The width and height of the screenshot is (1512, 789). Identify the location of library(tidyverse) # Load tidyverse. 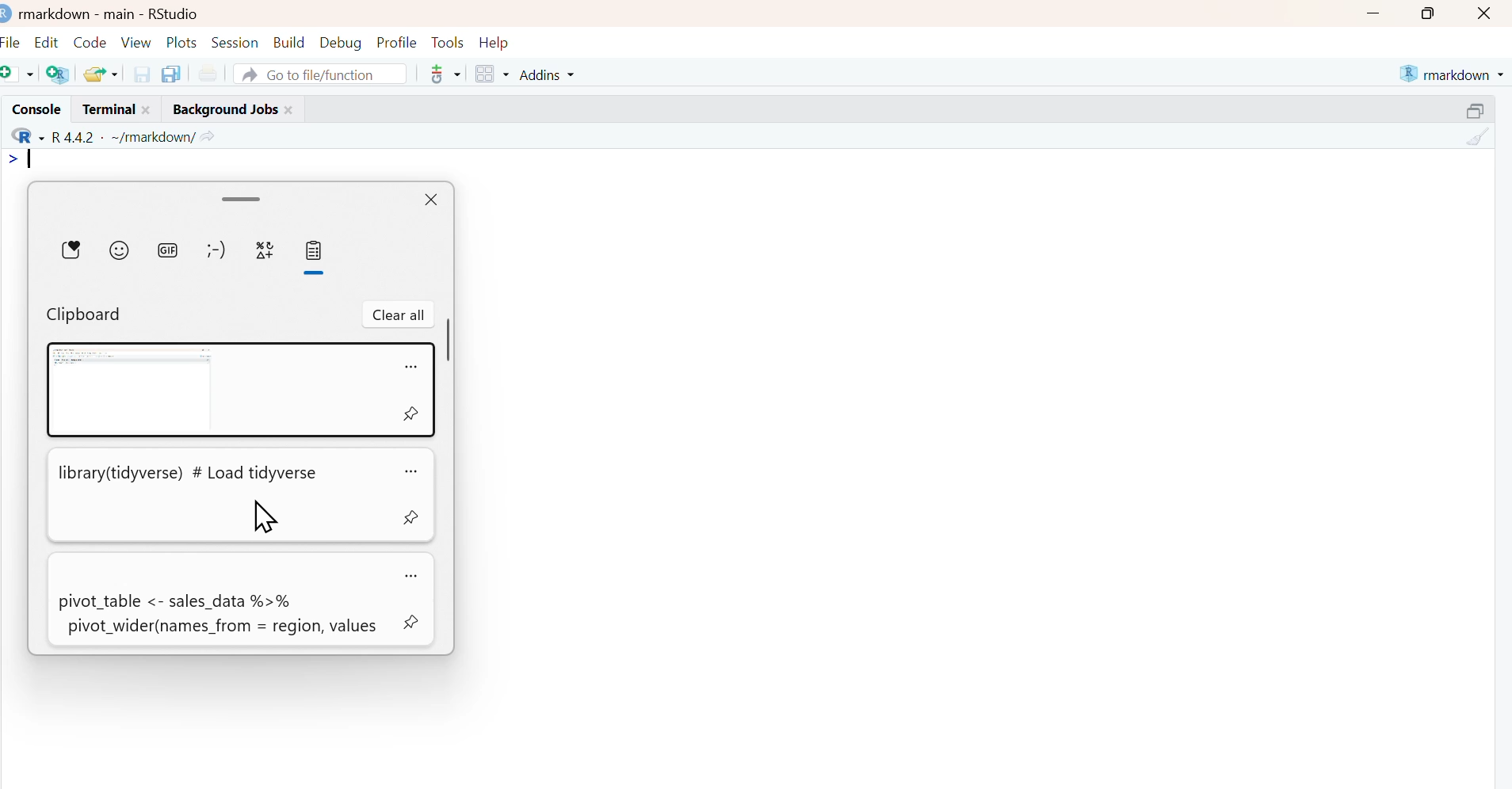
(220, 495).